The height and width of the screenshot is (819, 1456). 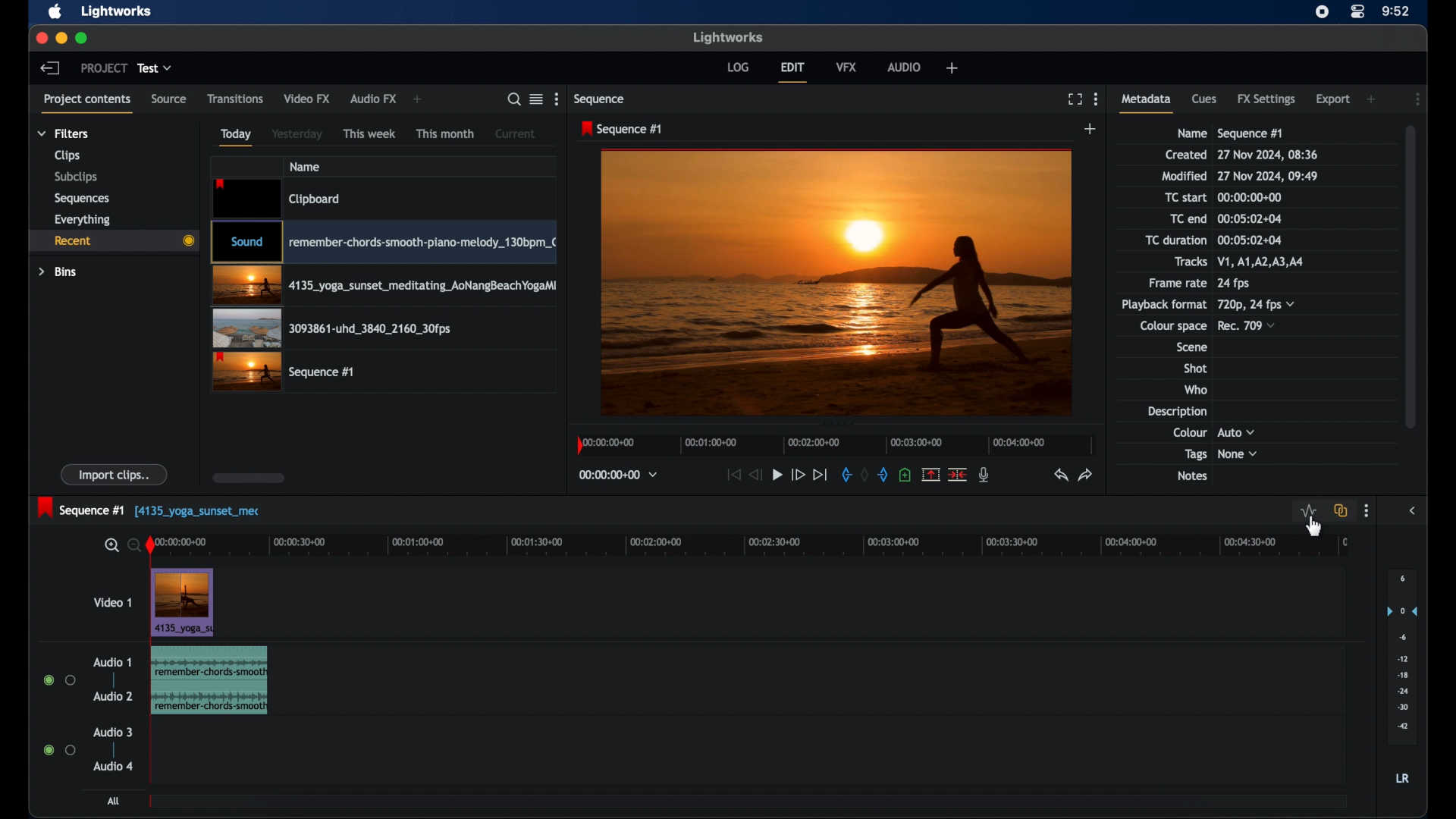 What do you see at coordinates (513, 99) in the screenshot?
I see `search` at bounding box center [513, 99].